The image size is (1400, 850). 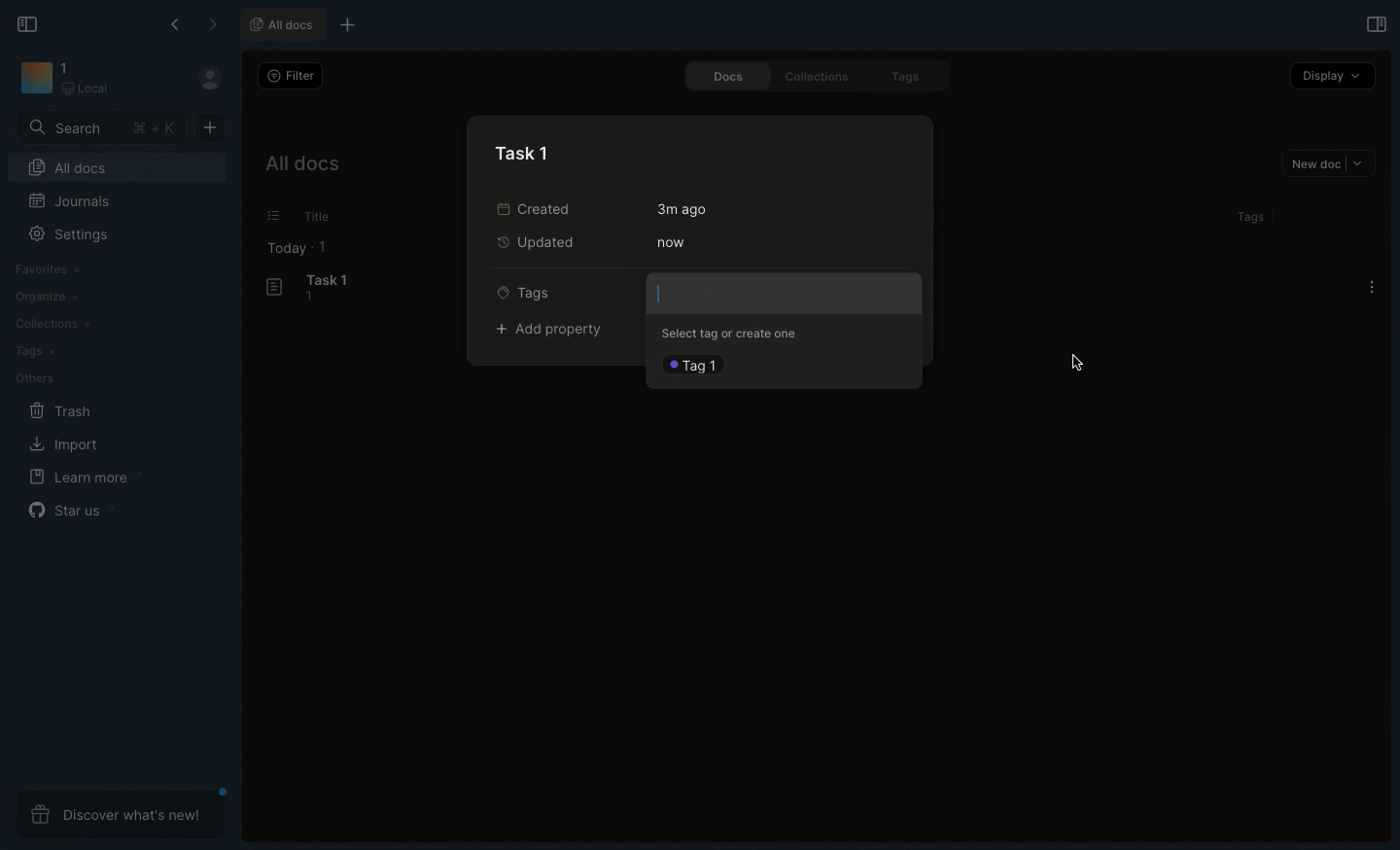 I want to click on Collections, so click(x=819, y=77).